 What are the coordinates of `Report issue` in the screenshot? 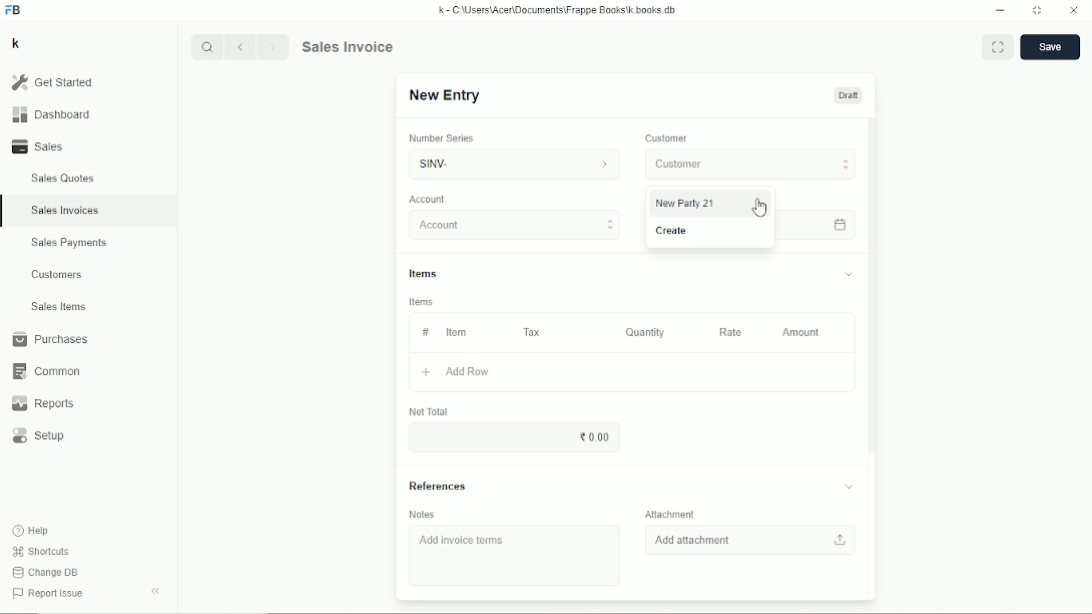 It's located at (46, 595).